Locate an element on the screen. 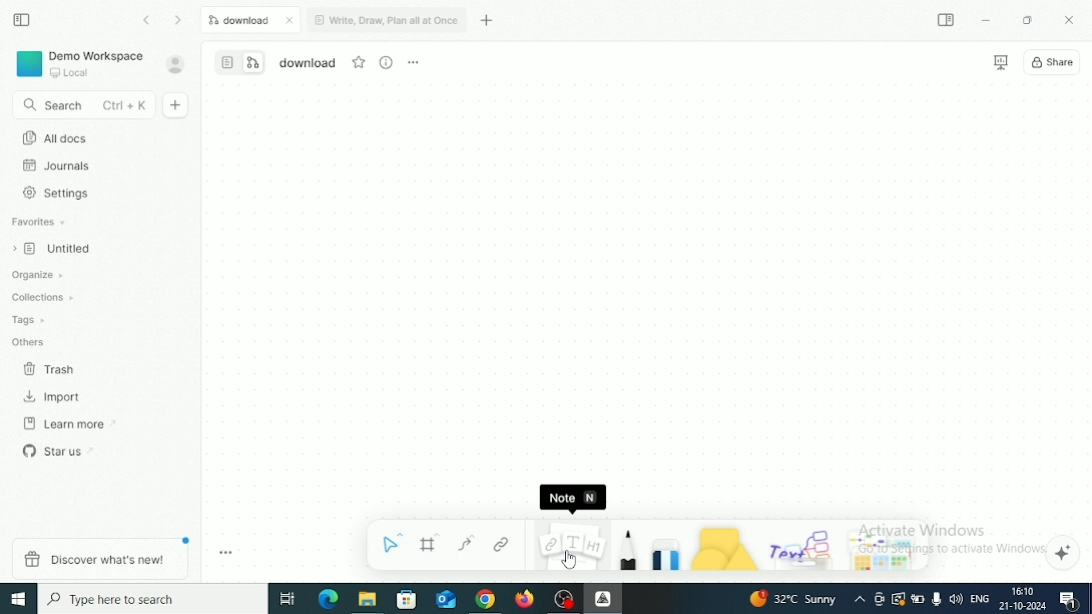  Collections is located at coordinates (44, 297).